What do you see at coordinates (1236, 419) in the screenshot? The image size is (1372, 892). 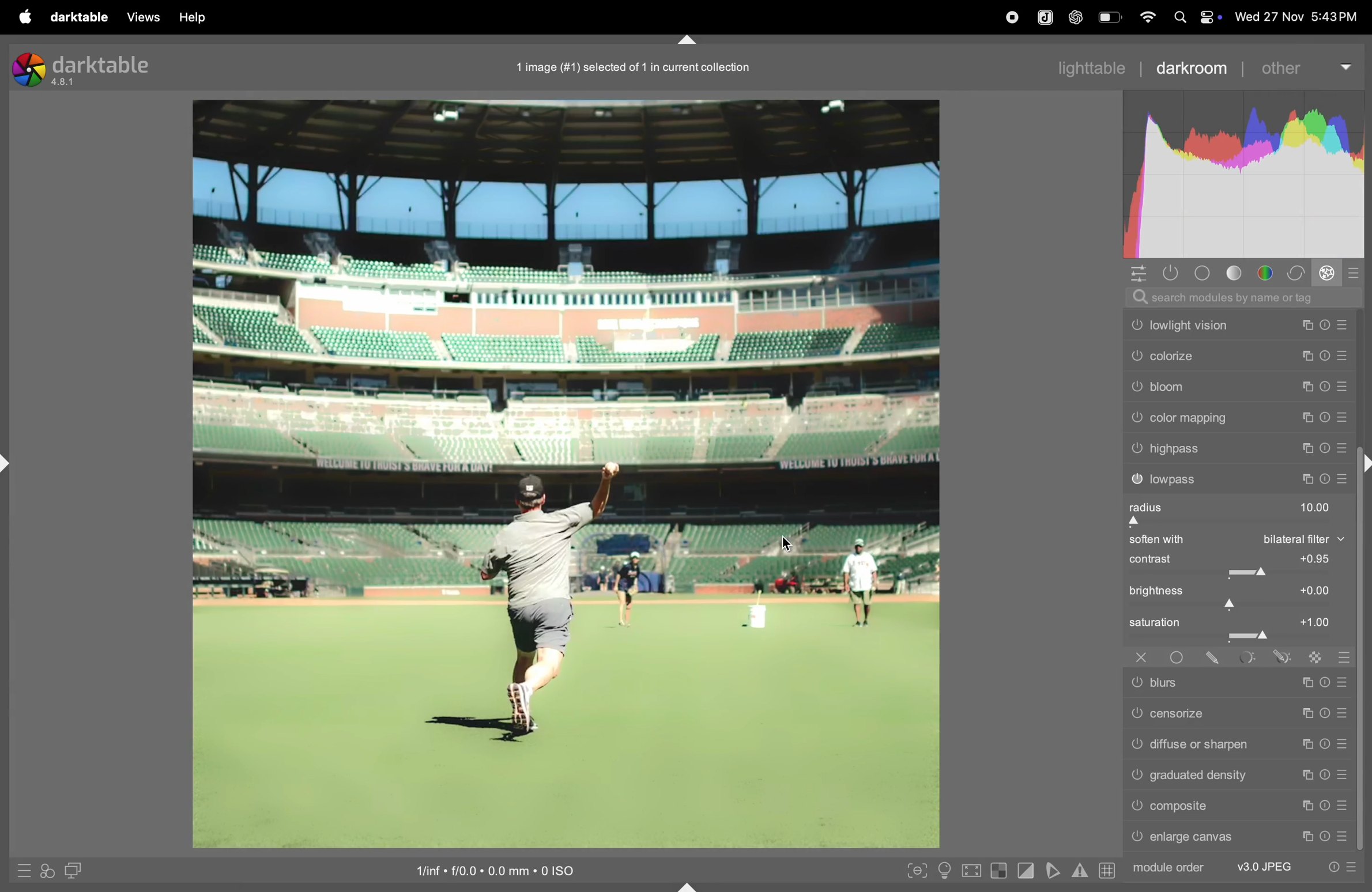 I see `color mapping` at bounding box center [1236, 419].